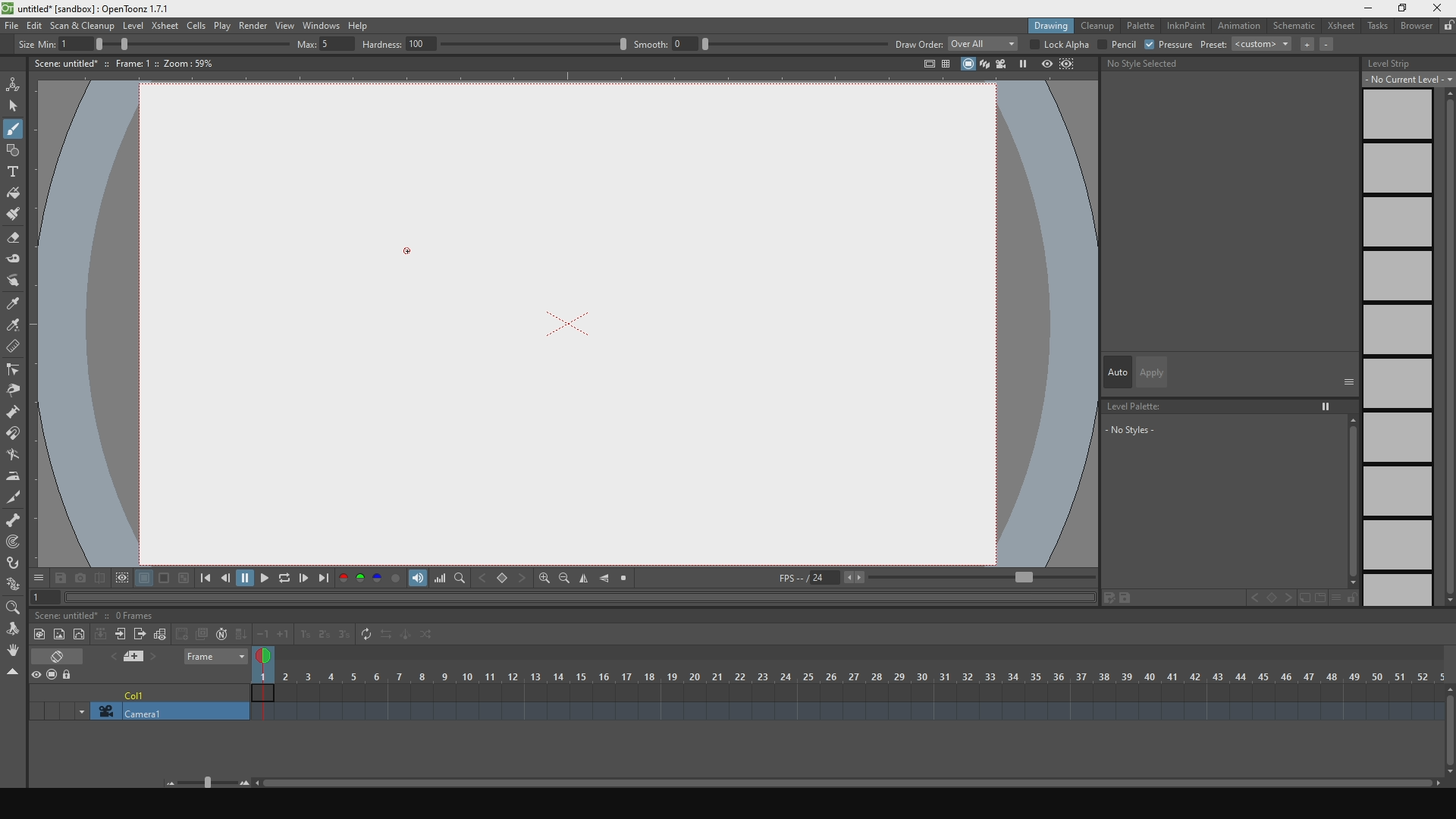 This screenshot has width=1456, height=819. Describe the element at coordinates (140, 657) in the screenshot. I see `previous and next file` at that location.